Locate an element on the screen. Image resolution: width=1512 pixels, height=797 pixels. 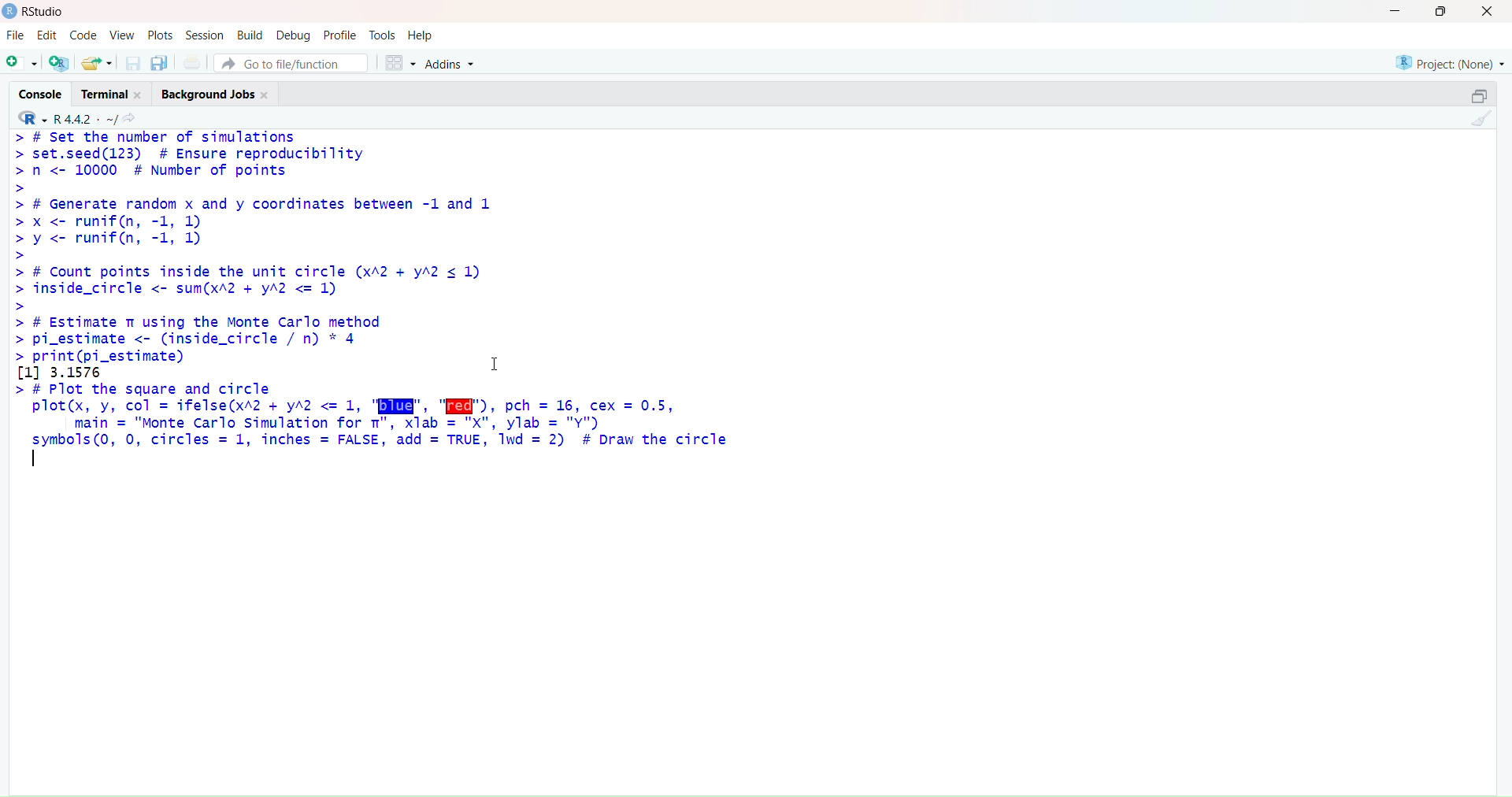
> # Set the number of simulations

> set.seed(123) # Ensure reproducibility

> n <- 10000 # Number of points

>

> # Generate random x and y coordinates between -1 and 1

> Xx <= runif(n, -1, 1)

> y <= runif(n, -1, 1)

>

> # Count points inside the unit circle (xA2 + yA2 < 1)

> inside_circle <- sum(xA2 + yA2 <= 1)

>

> # Estimate m using the Monte Carlo method

> pi_estimate <- (inside_circle / n) * 4

> print(pi_estimate) 1

[1] 3.1576

> # Plot the square and circle
plot(x, y, col = ifelse(xA2 + yA2 <= 1, 'BNER", "W&"), pch = 16, cex = 0.5,

main = "Monte Carlo Simulation for mn", xlab = "X", ylab = "Y")

symbols (0, 0, circles = 1, inches = FALSE, add = TRUE, Twd = 2) # Draw the circle
| is located at coordinates (401, 303).